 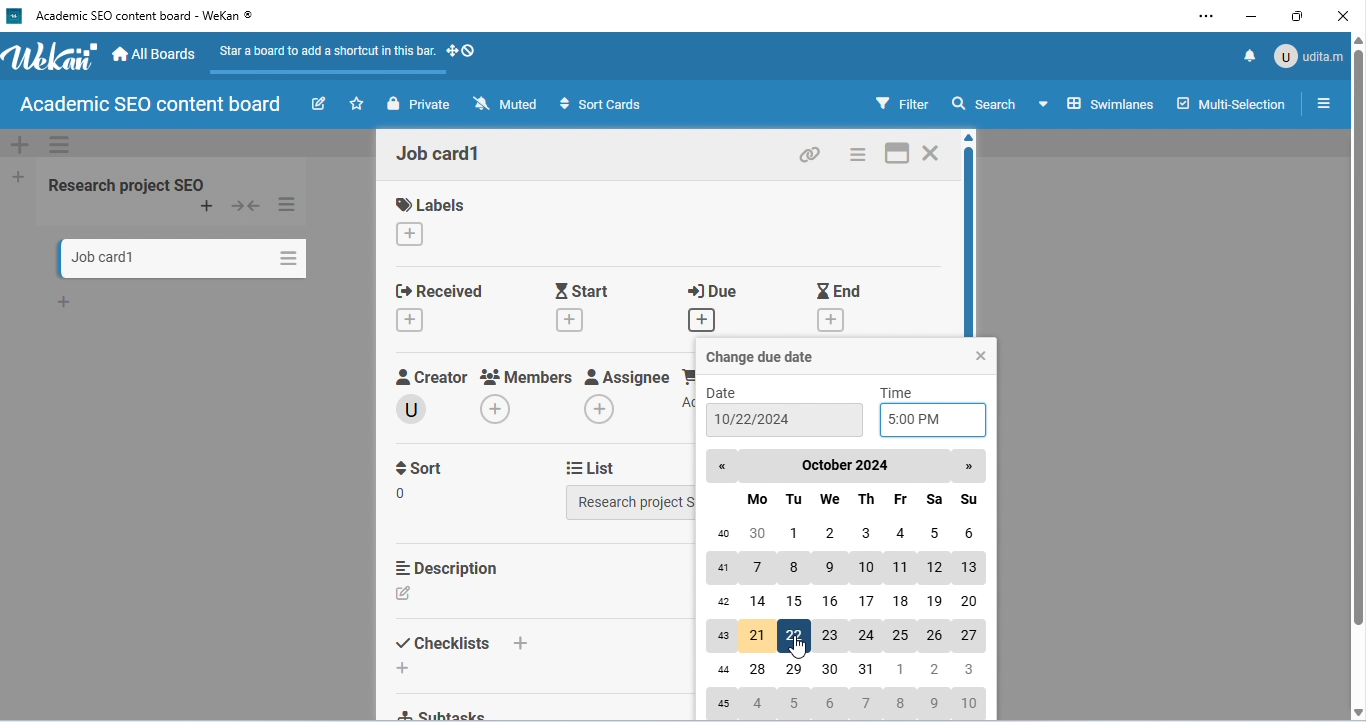 What do you see at coordinates (895, 153) in the screenshot?
I see `maximize card` at bounding box center [895, 153].